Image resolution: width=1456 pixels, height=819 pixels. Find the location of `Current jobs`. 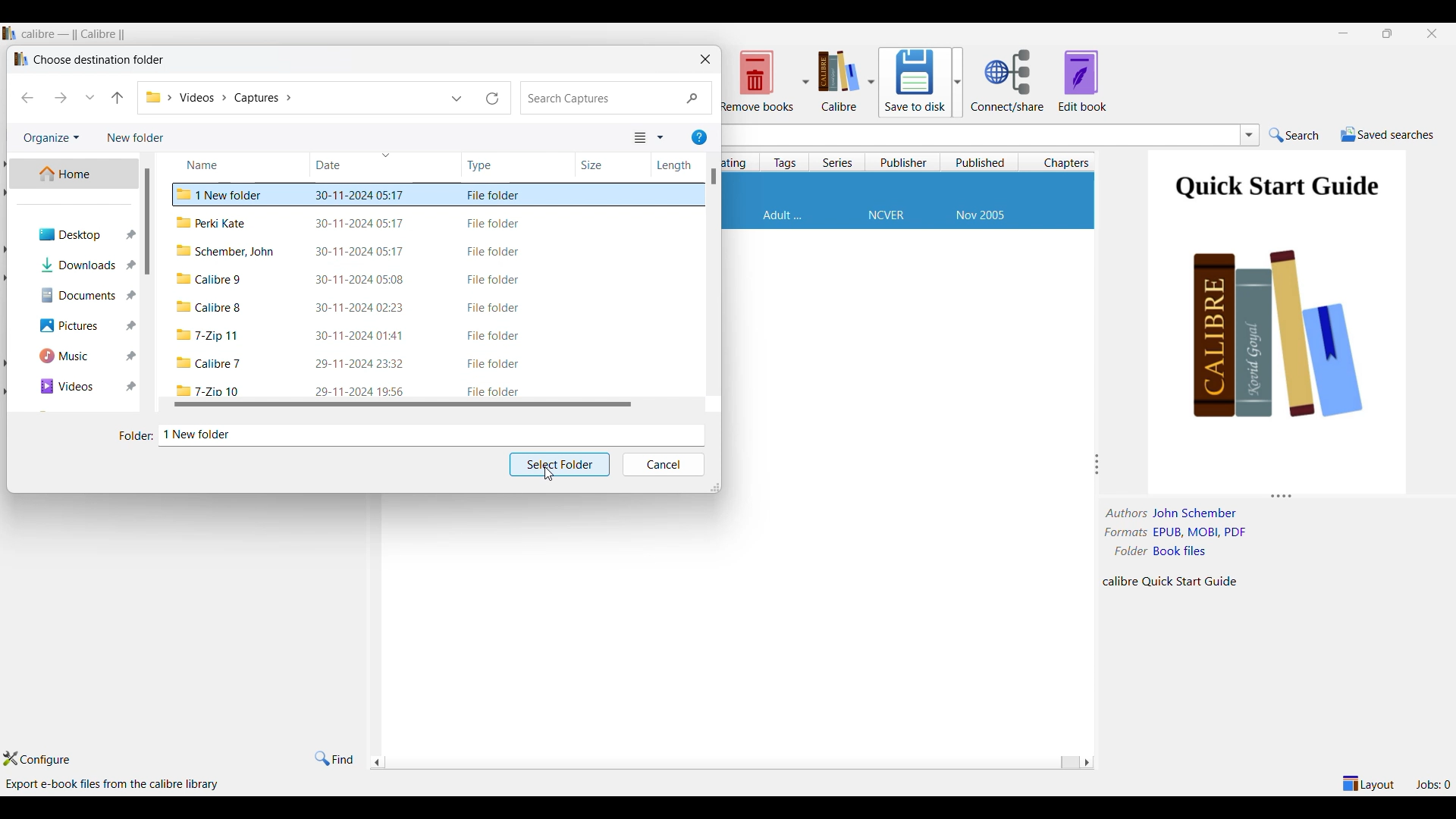

Current jobs is located at coordinates (1432, 784).